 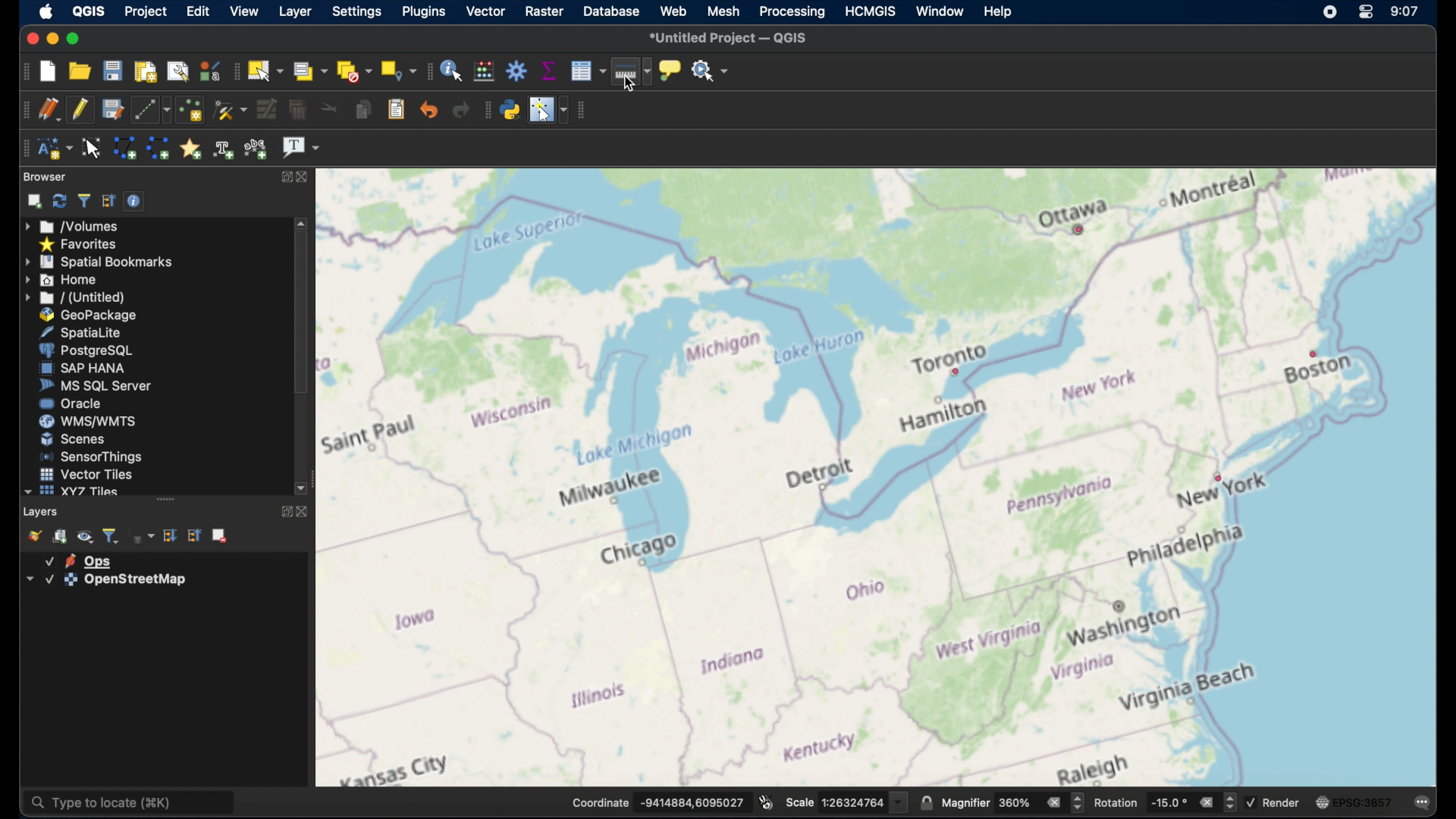 What do you see at coordinates (67, 279) in the screenshot?
I see `home menu` at bounding box center [67, 279].